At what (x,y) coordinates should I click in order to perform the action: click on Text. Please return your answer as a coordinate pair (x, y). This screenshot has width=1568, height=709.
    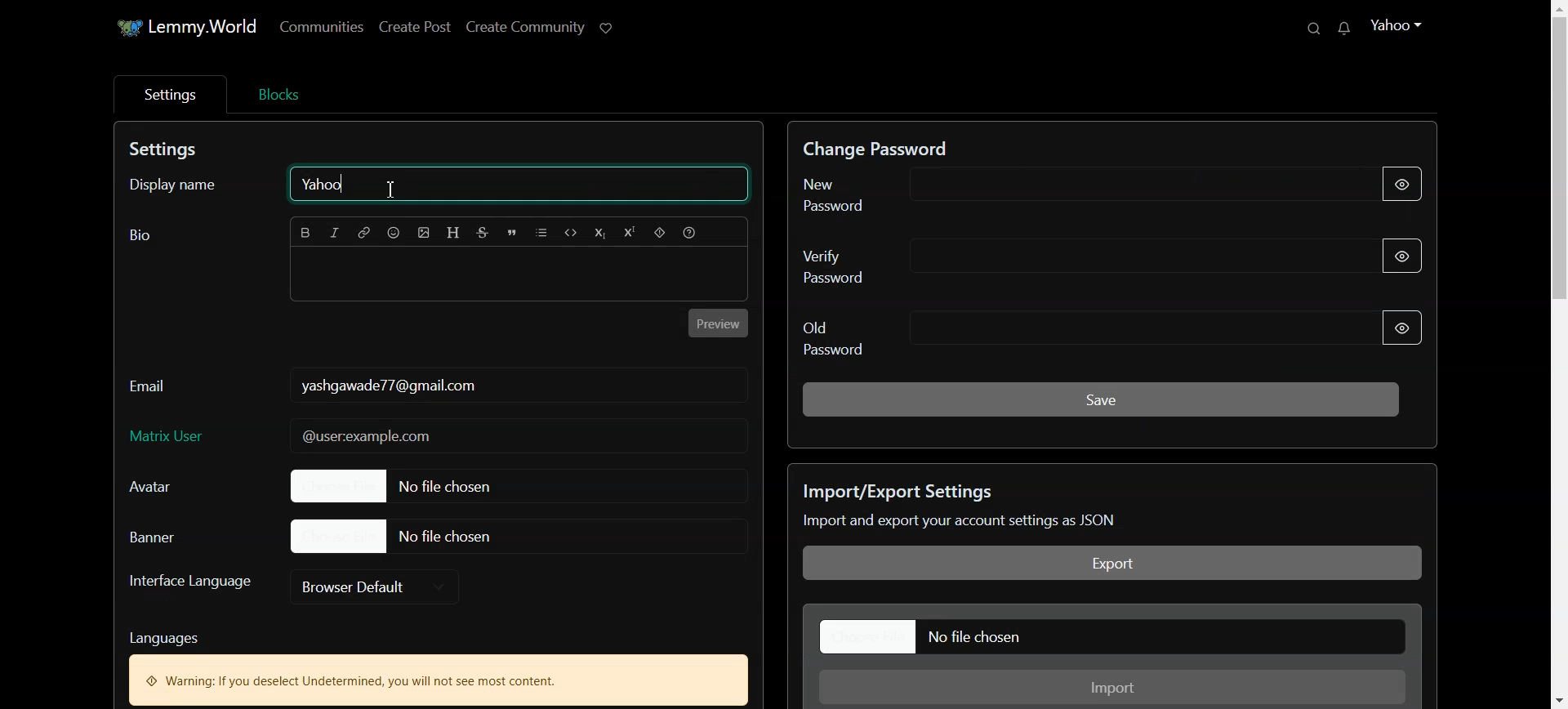
    Looking at the image, I should click on (140, 235).